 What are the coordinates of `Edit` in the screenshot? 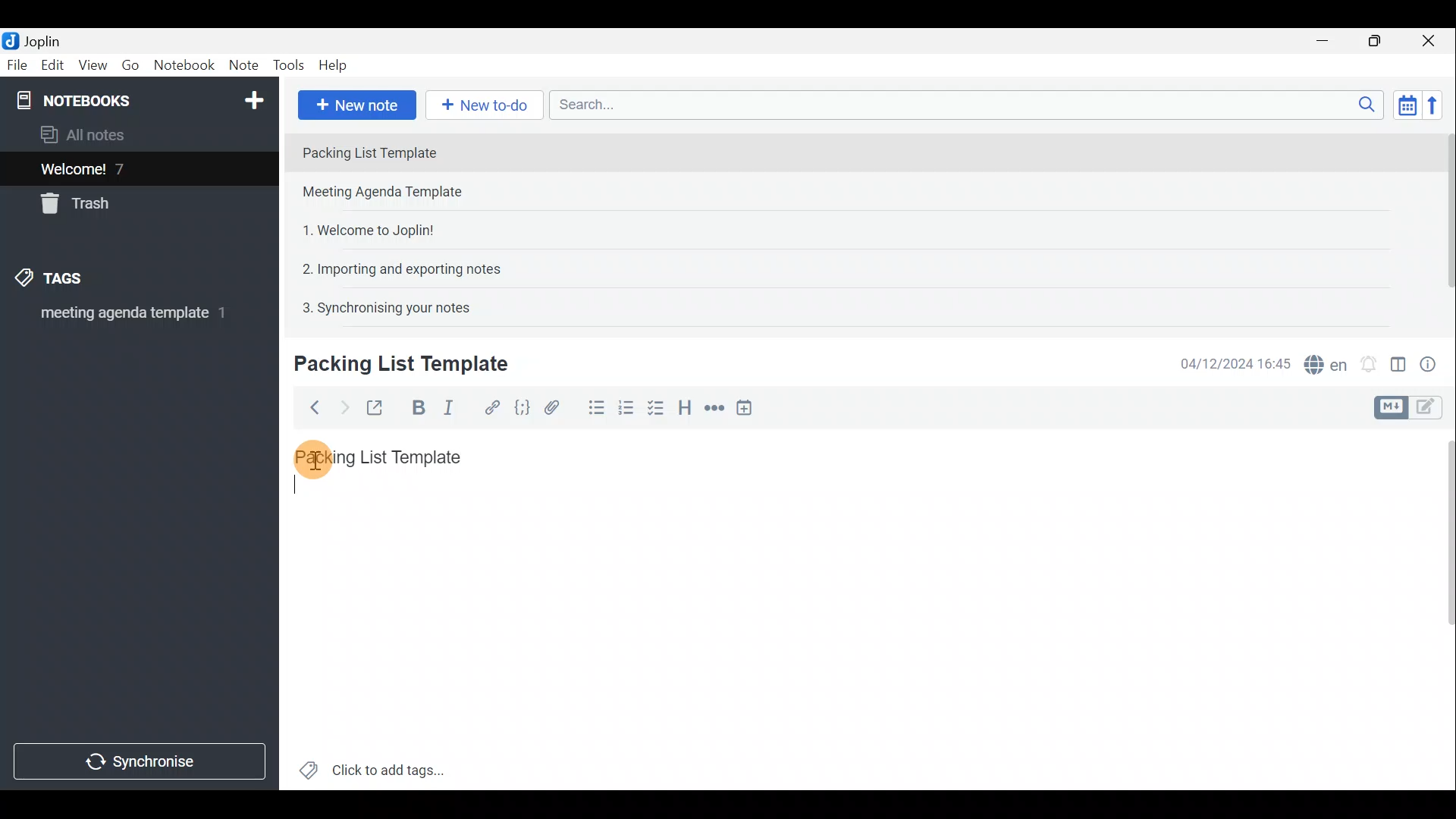 It's located at (49, 66).